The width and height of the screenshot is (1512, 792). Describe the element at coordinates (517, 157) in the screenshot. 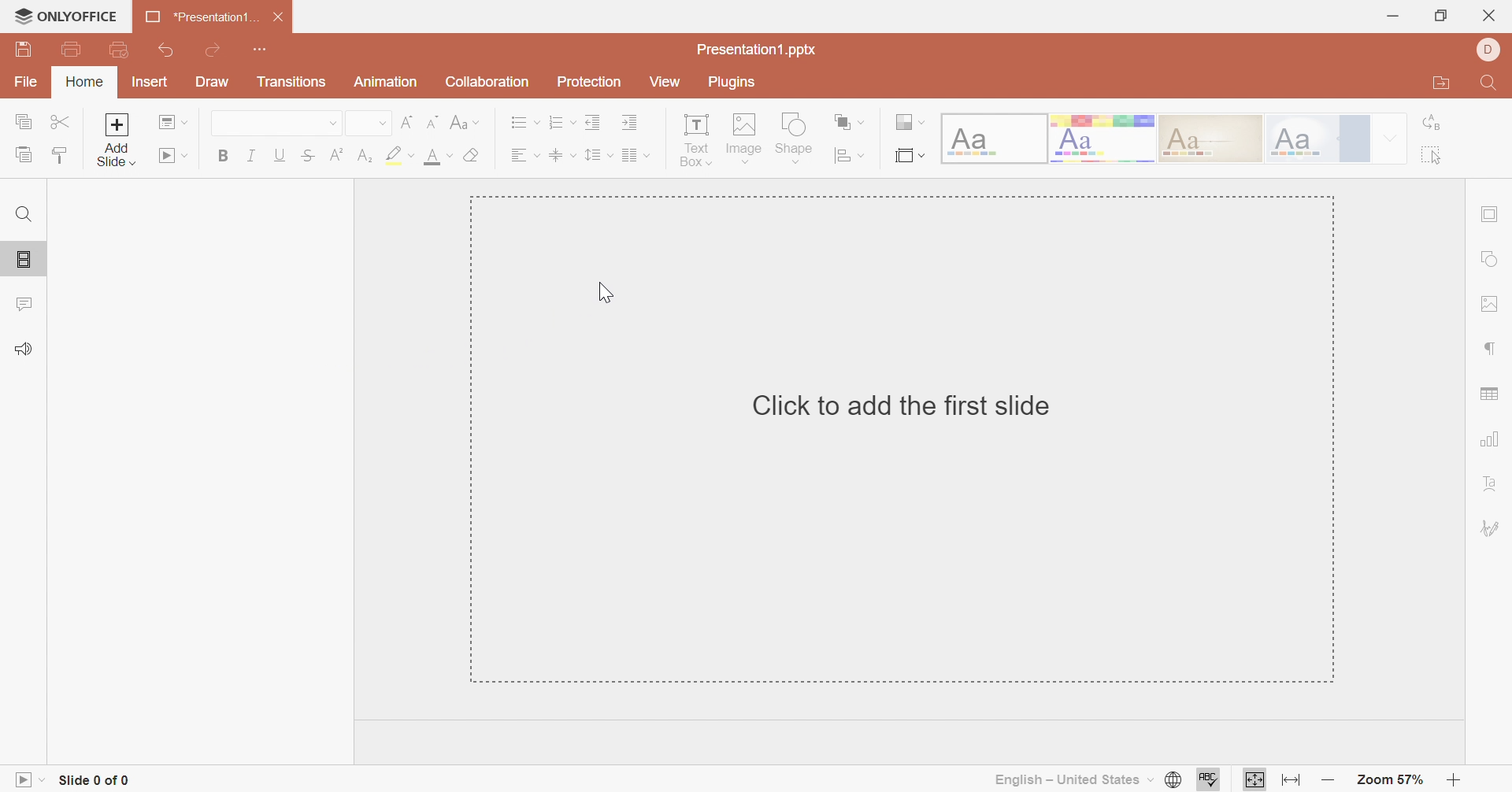

I see `Text Align Left` at that location.